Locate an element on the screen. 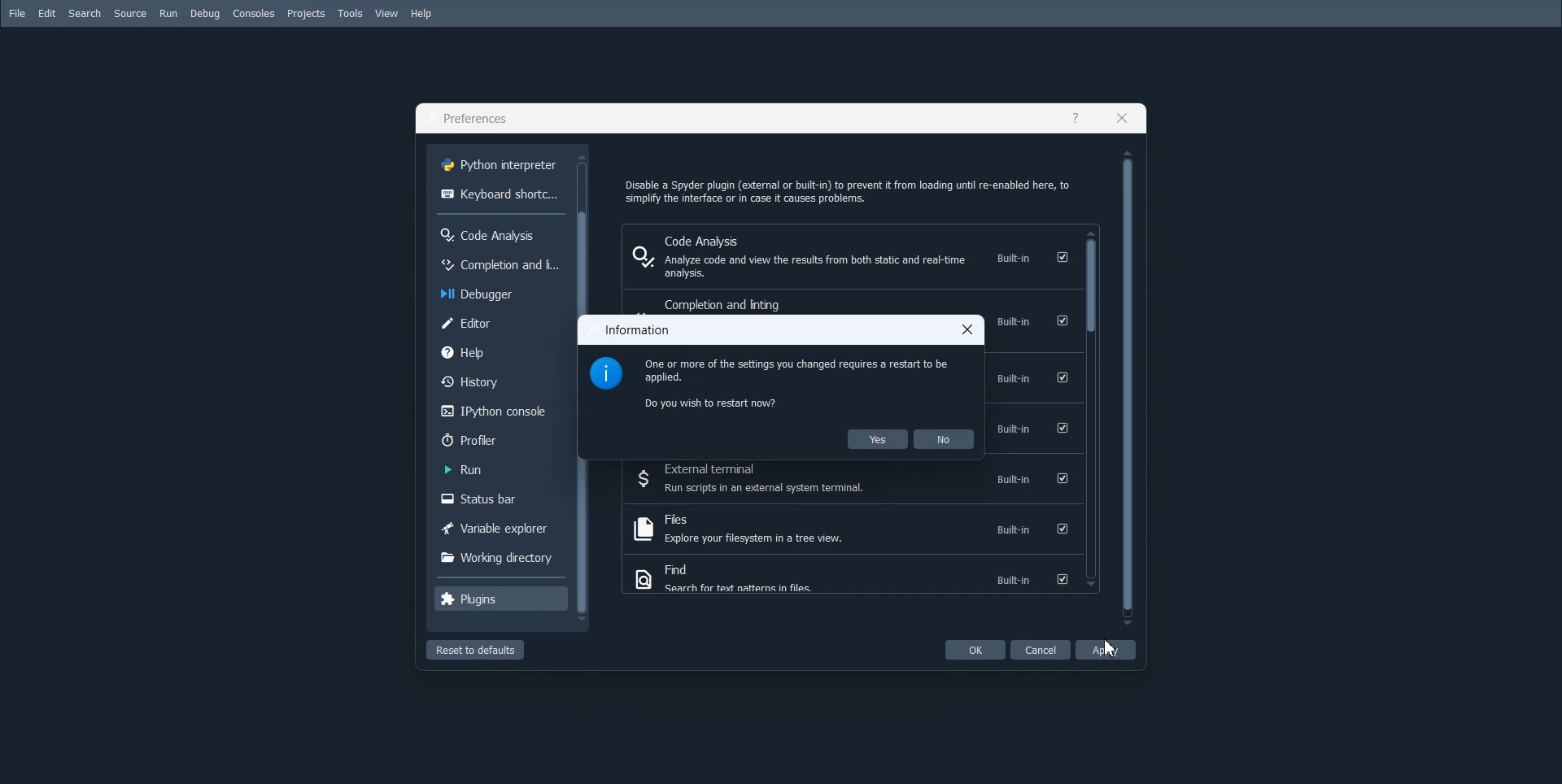 The image size is (1562, 784). Help is located at coordinates (499, 351).